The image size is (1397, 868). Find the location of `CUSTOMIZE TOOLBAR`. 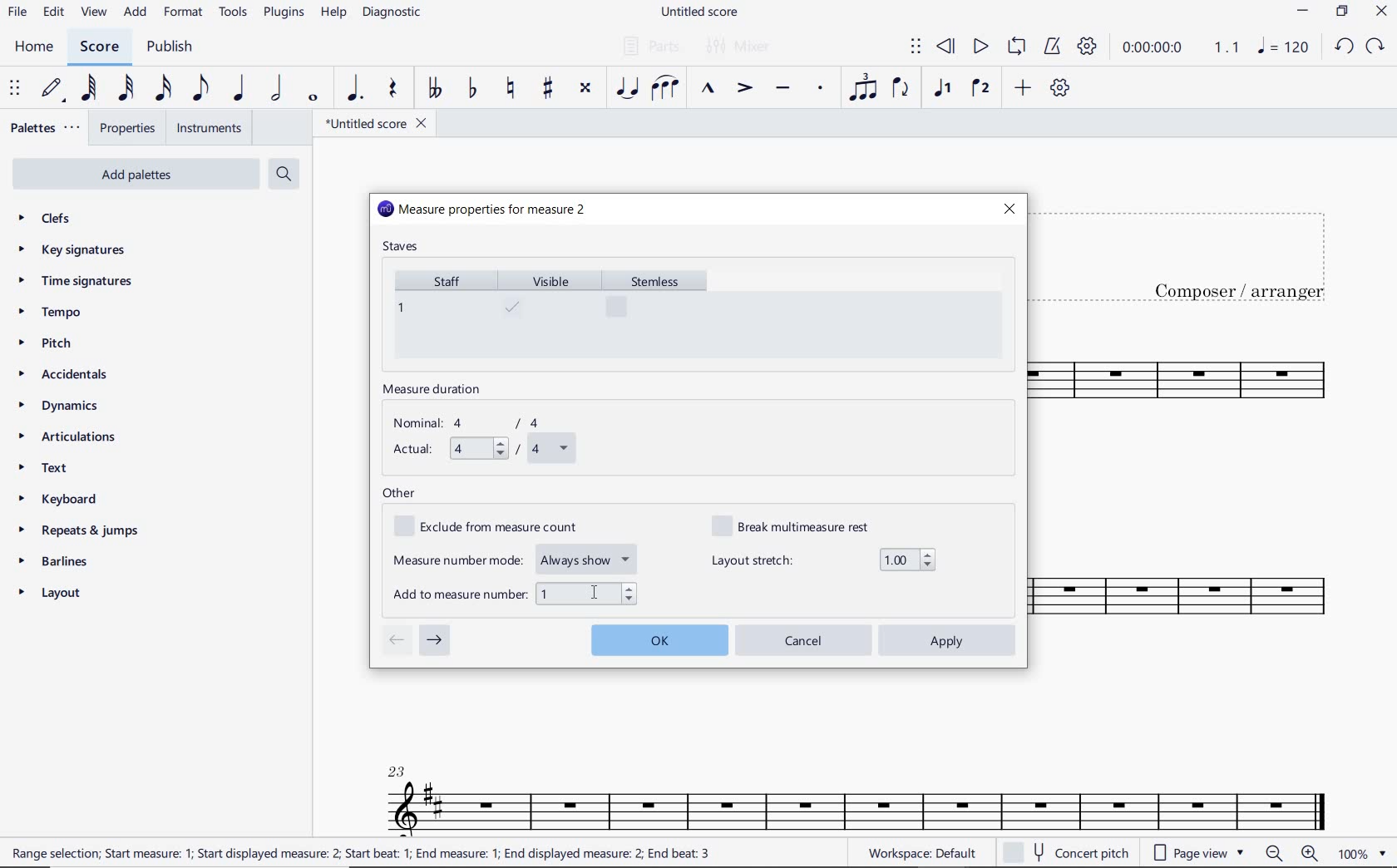

CUSTOMIZE TOOLBAR is located at coordinates (1060, 88).